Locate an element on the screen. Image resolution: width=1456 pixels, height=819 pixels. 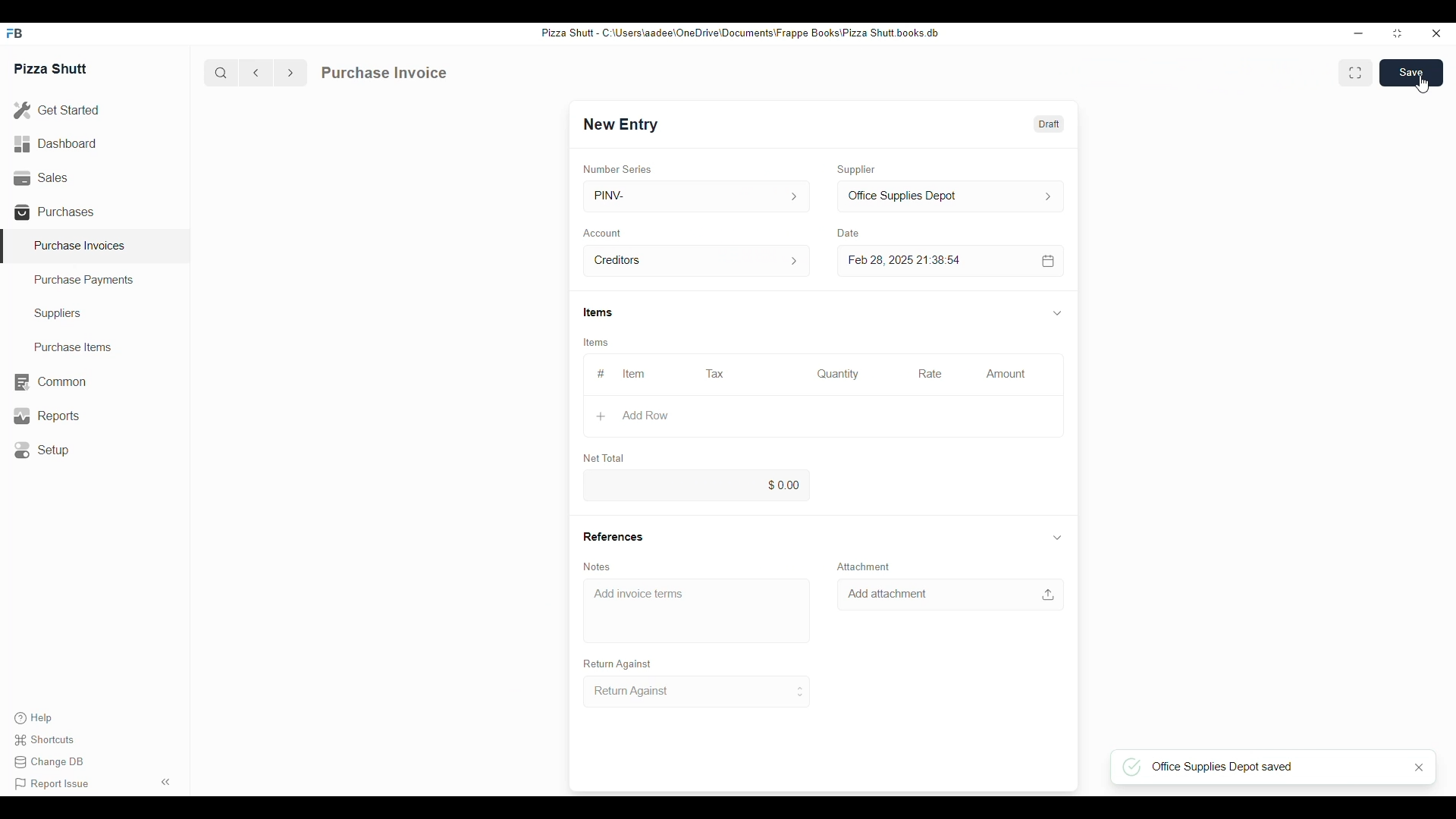
Get Started is located at coordinates (57, 111).